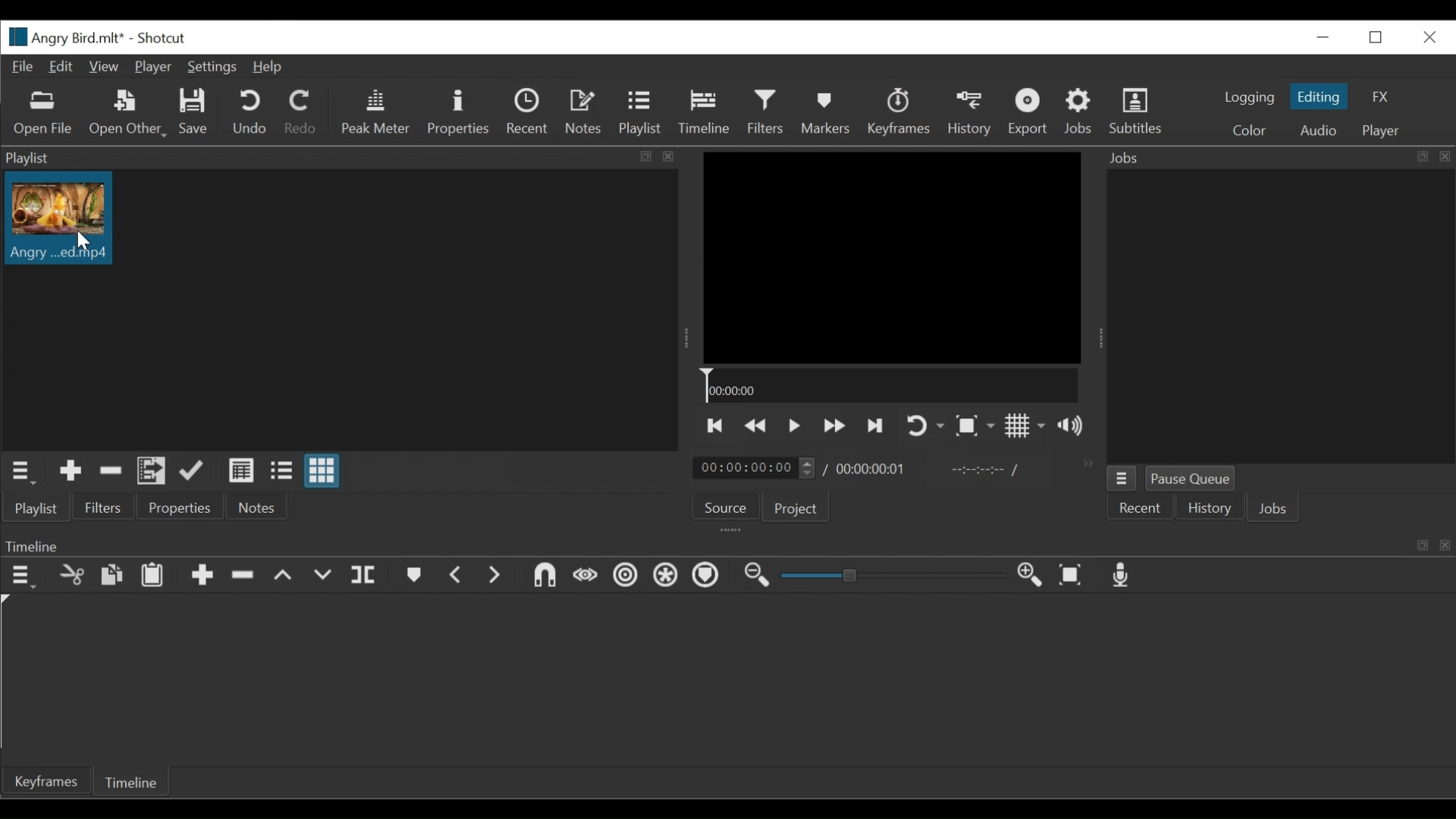 Image resolution: width=1456 pixels, height=819 pixels. I want to click on Play forward quickly, so click(836, 426).